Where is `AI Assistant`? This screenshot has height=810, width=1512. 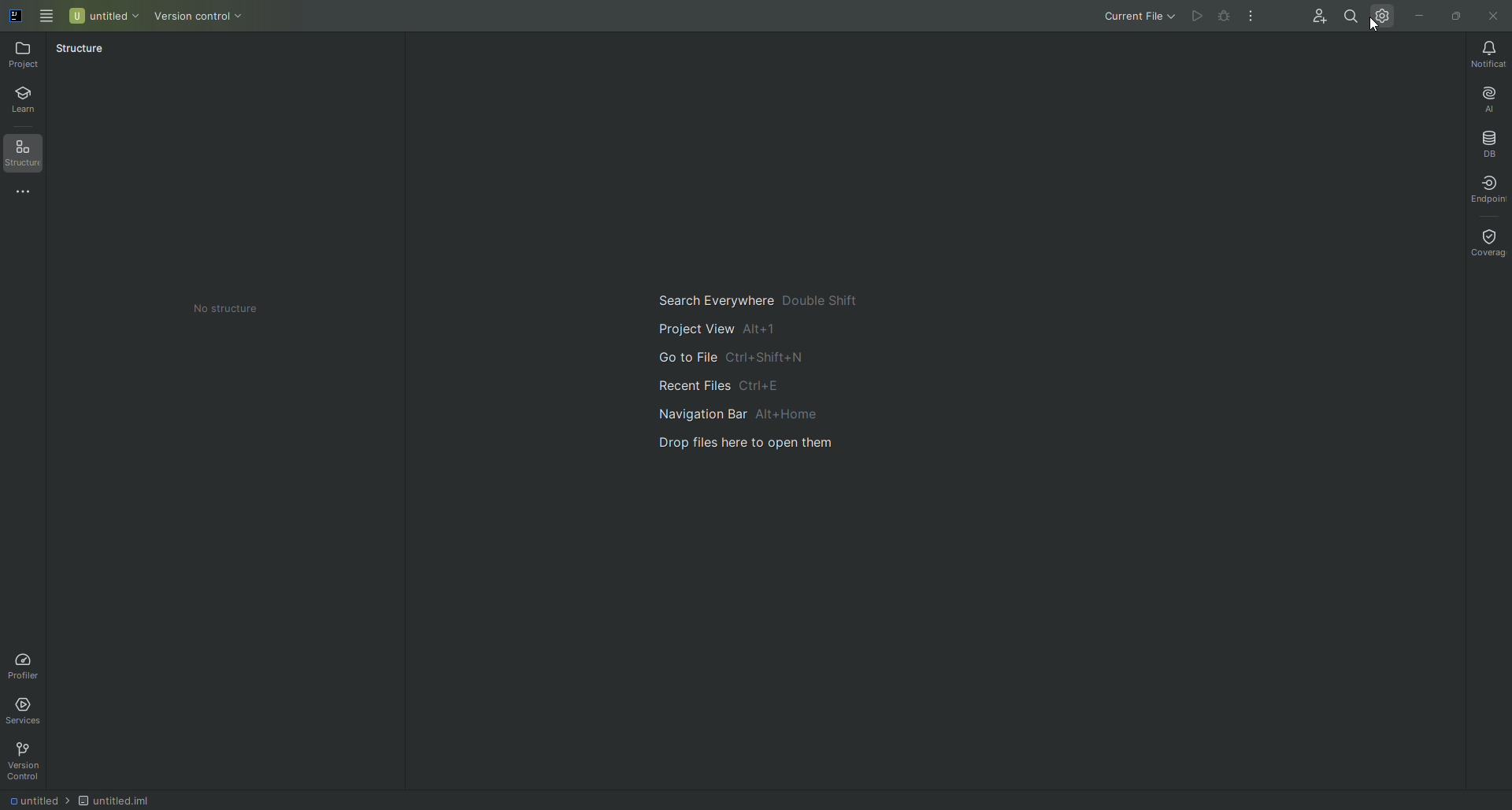 AI Assistant is located at coordinates (1489, 100).